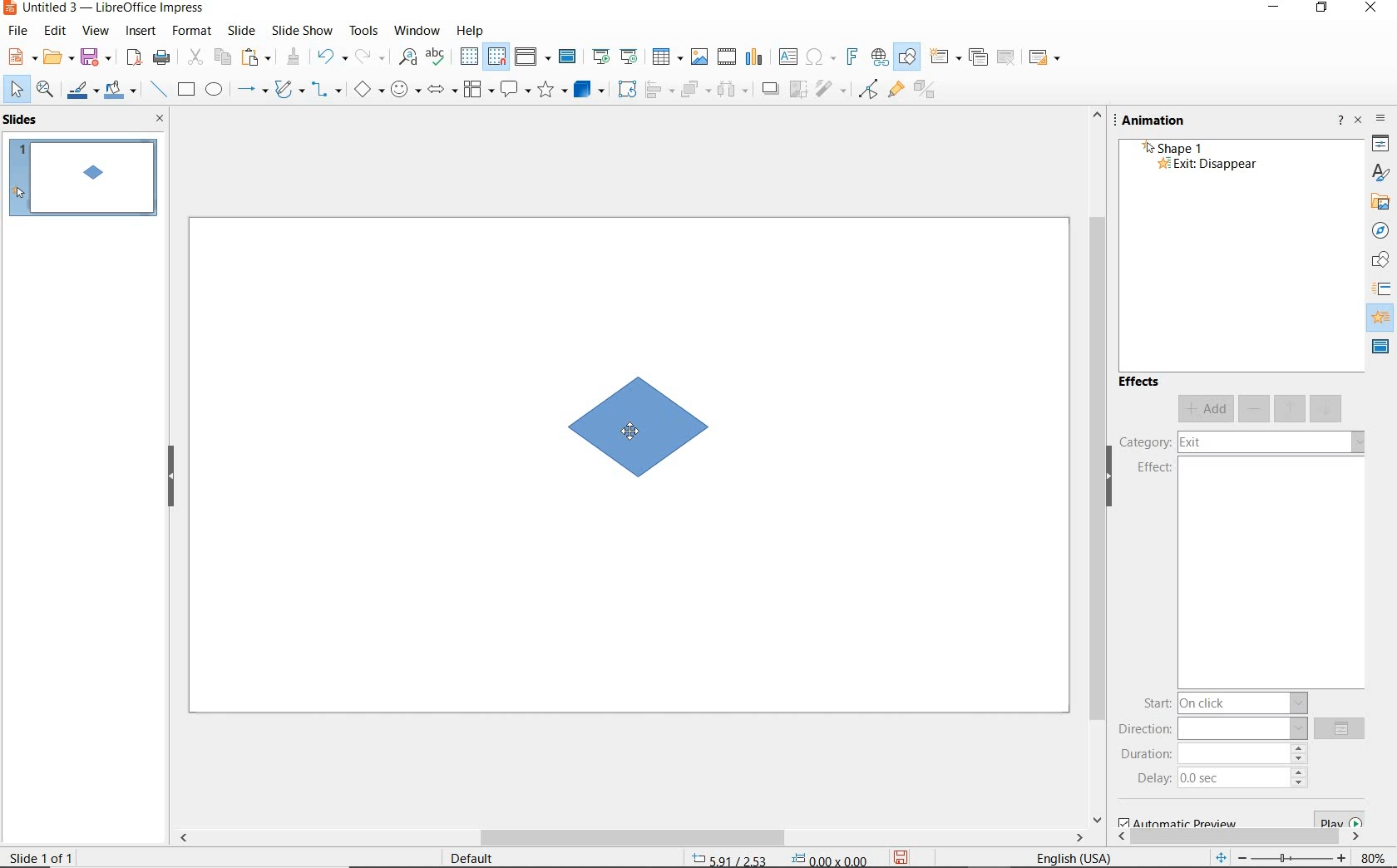 Image resolution: width=1397 pixels, height=868 pixels. I want to click on gallery, so click(1376, 204).